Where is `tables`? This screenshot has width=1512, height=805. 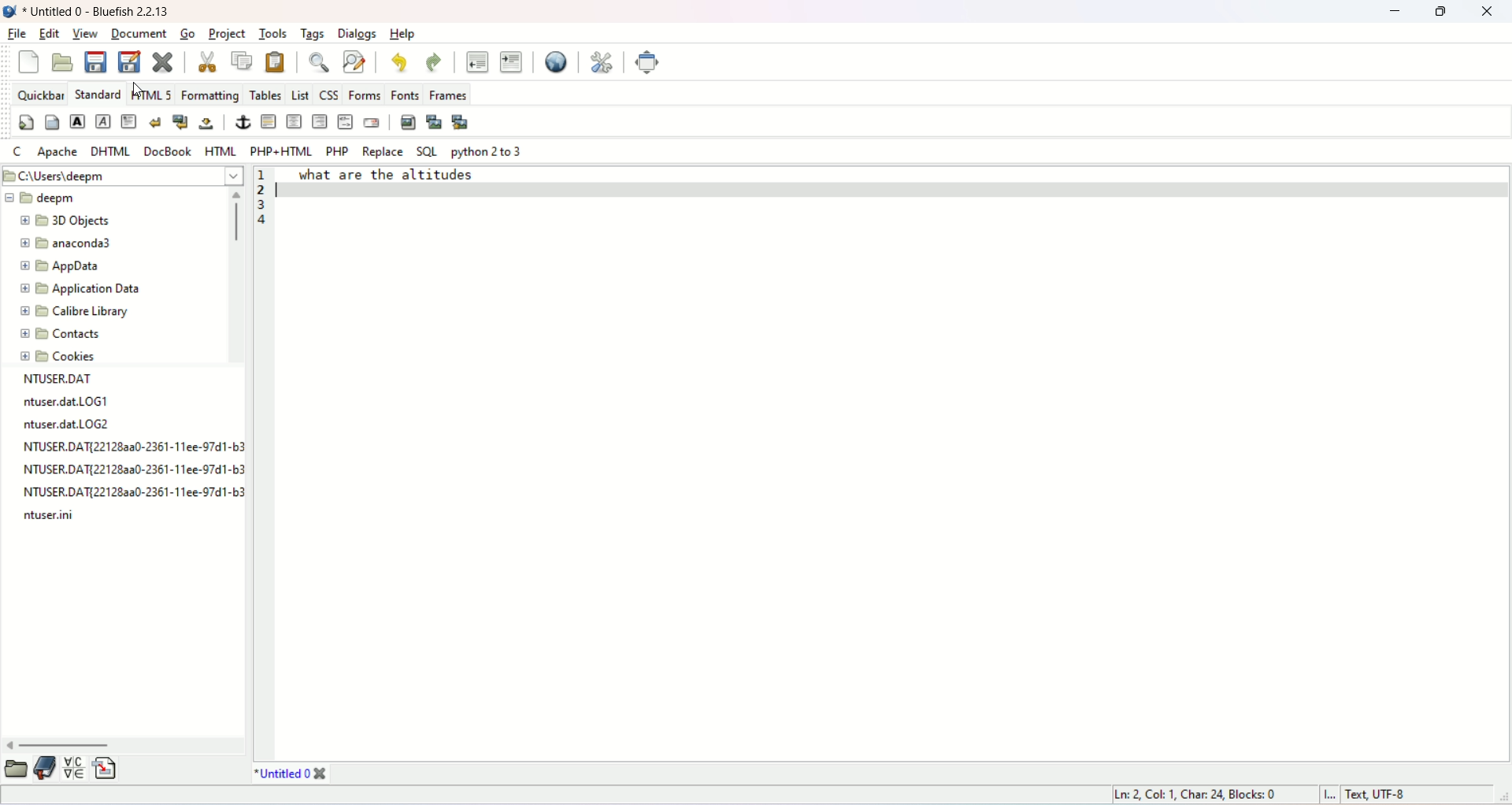
tables is located at coordinates (264, 95).